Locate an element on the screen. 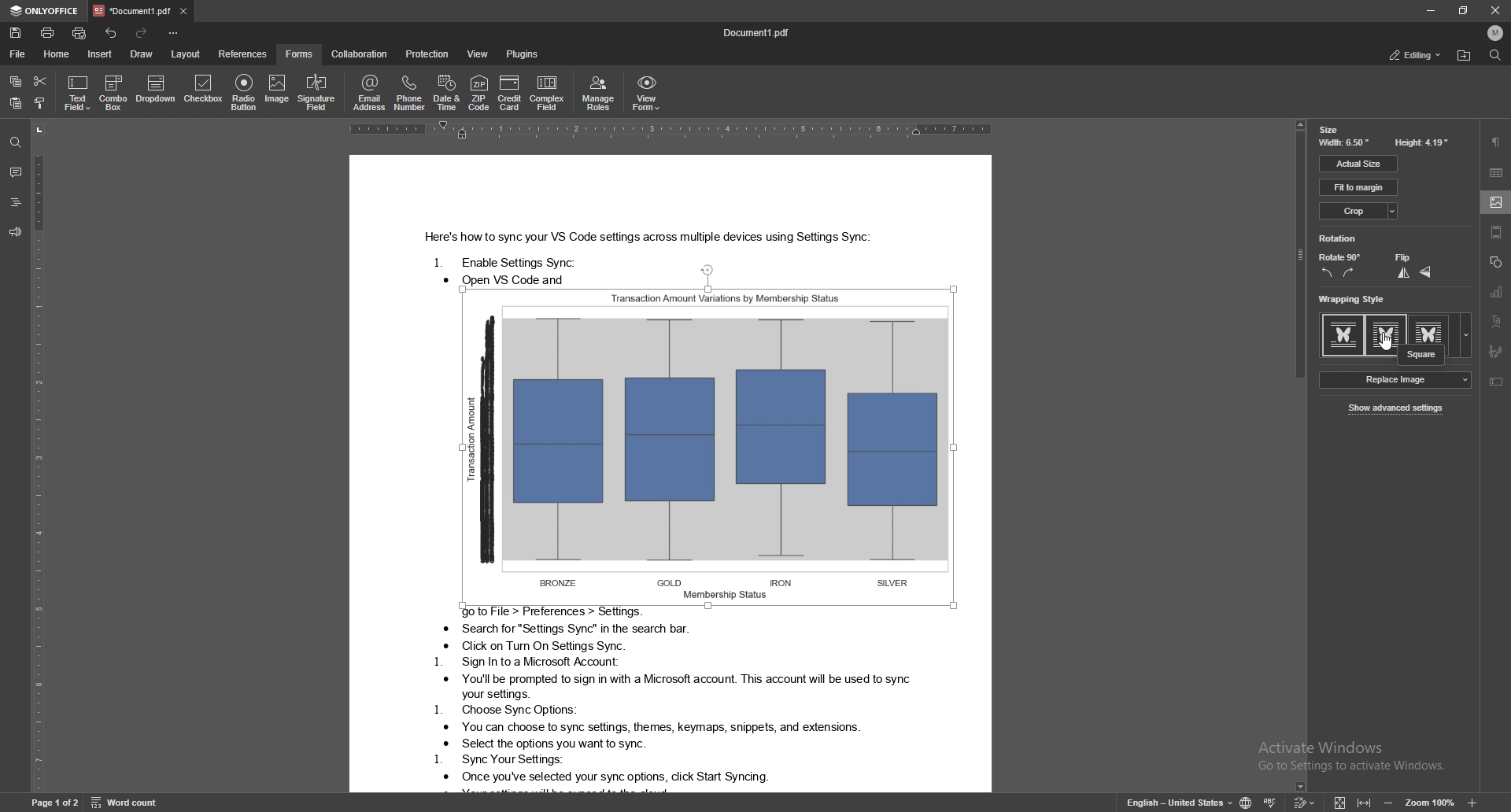  onlyoffice is located at coordinates (44, 10).